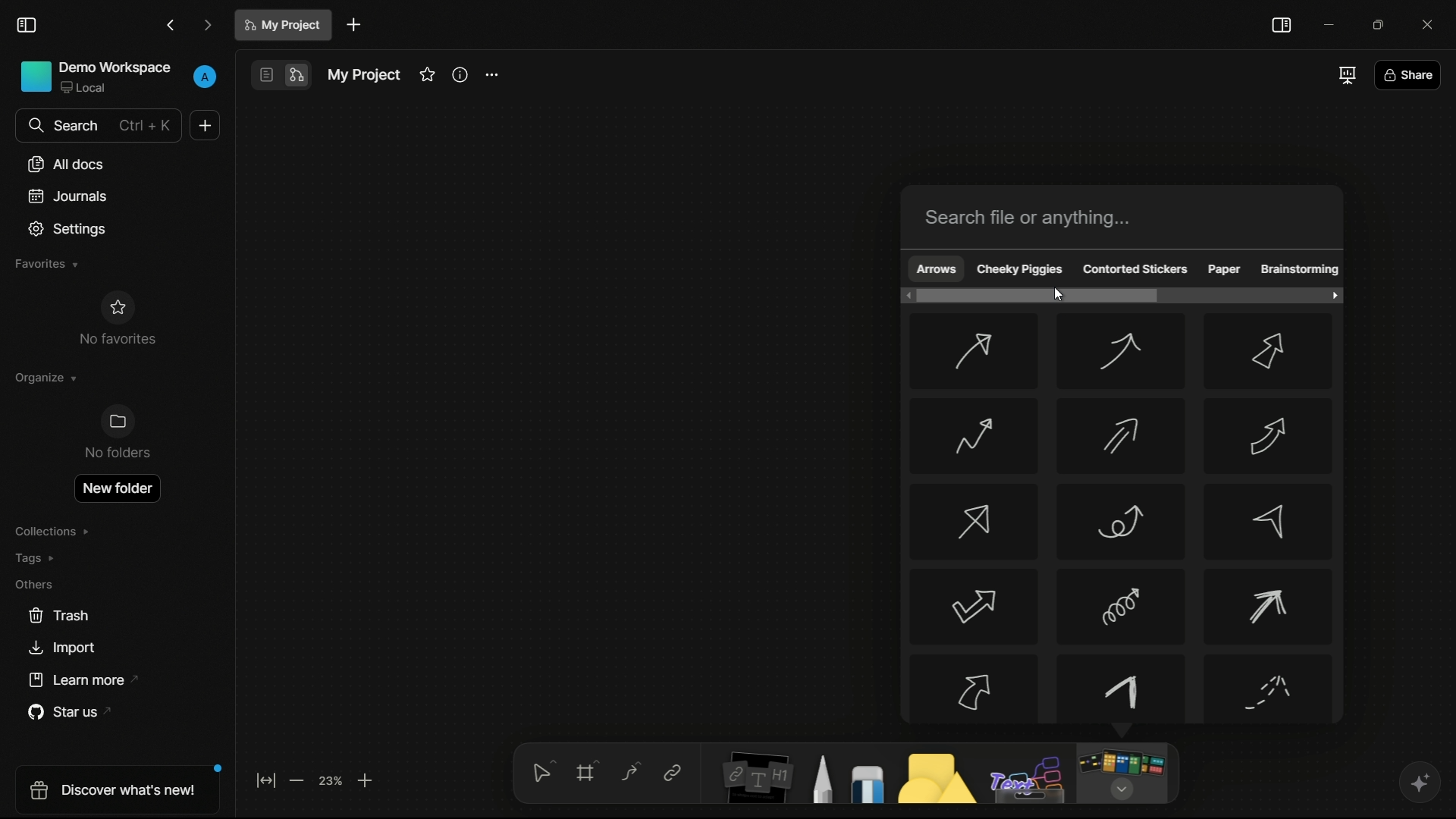  What do you see at coordinates (331, 780) in the screenshot?
I see `zoom factor` at bounding box center [331, 780].